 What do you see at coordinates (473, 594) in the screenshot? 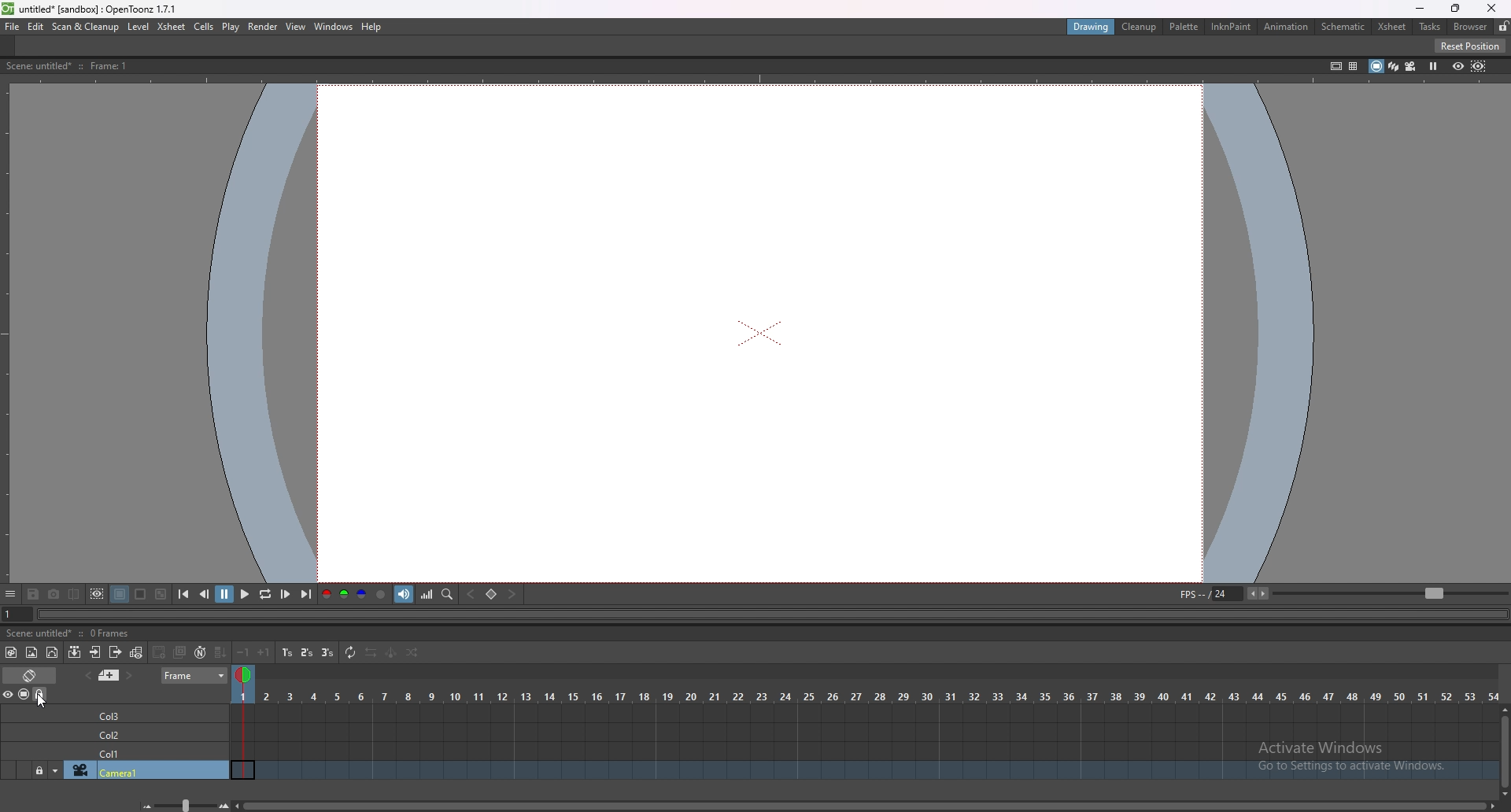
I see `previous key` at bounding box center [473, 594].